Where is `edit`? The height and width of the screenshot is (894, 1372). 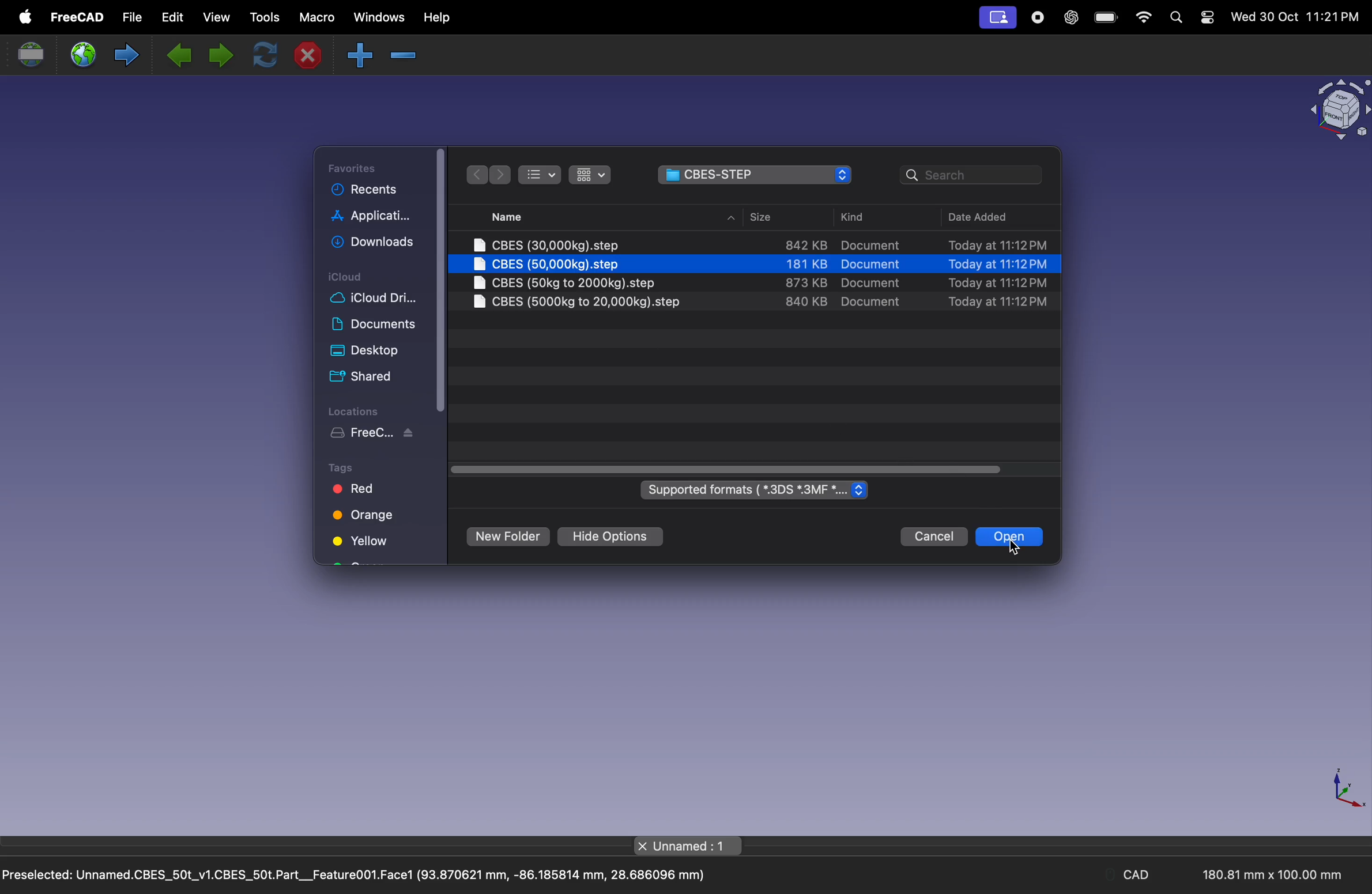
edit is located at coordinates (176, 21).